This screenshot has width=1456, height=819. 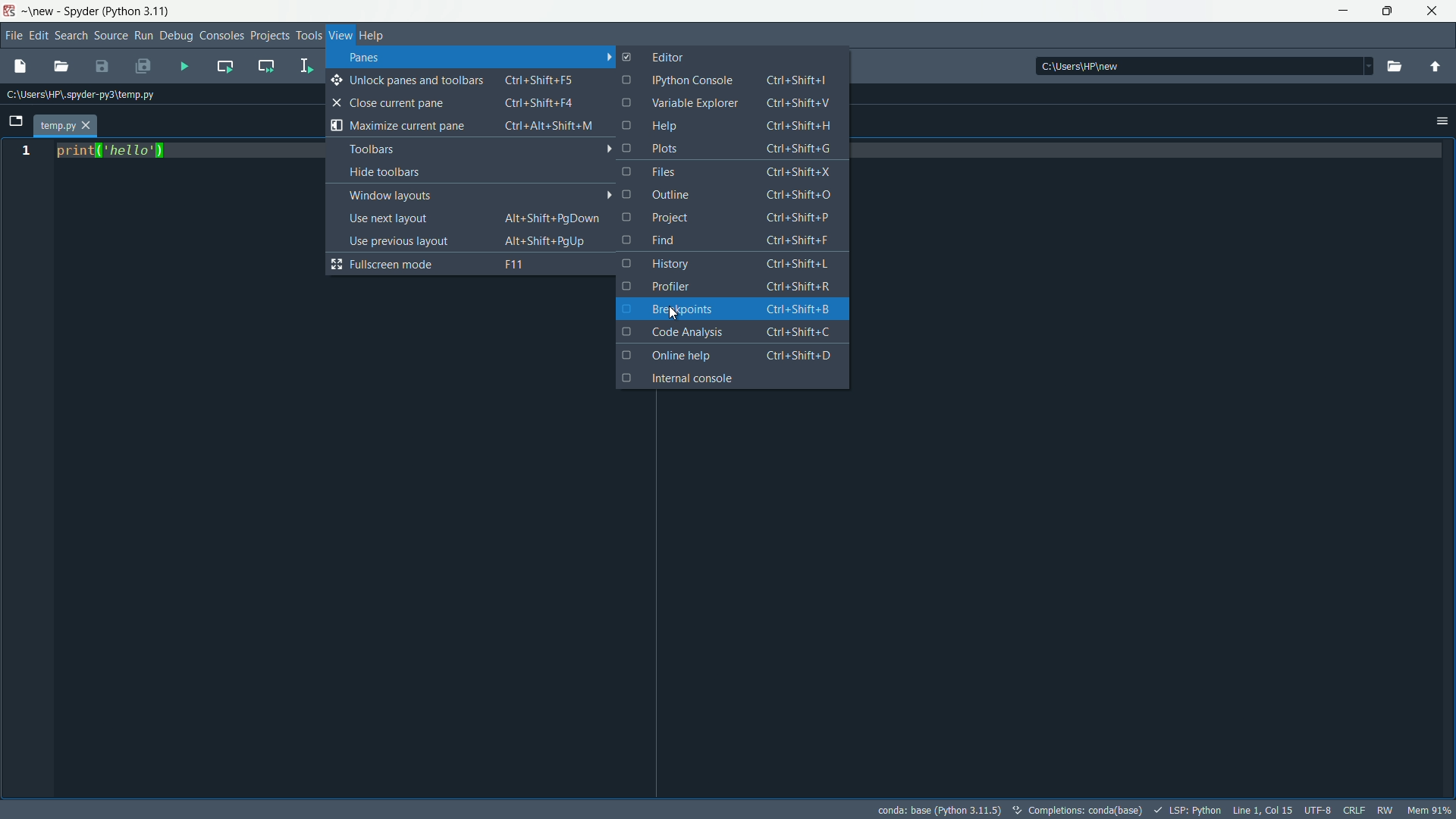 I want to click on Spyder, so click(x=83, y=11).